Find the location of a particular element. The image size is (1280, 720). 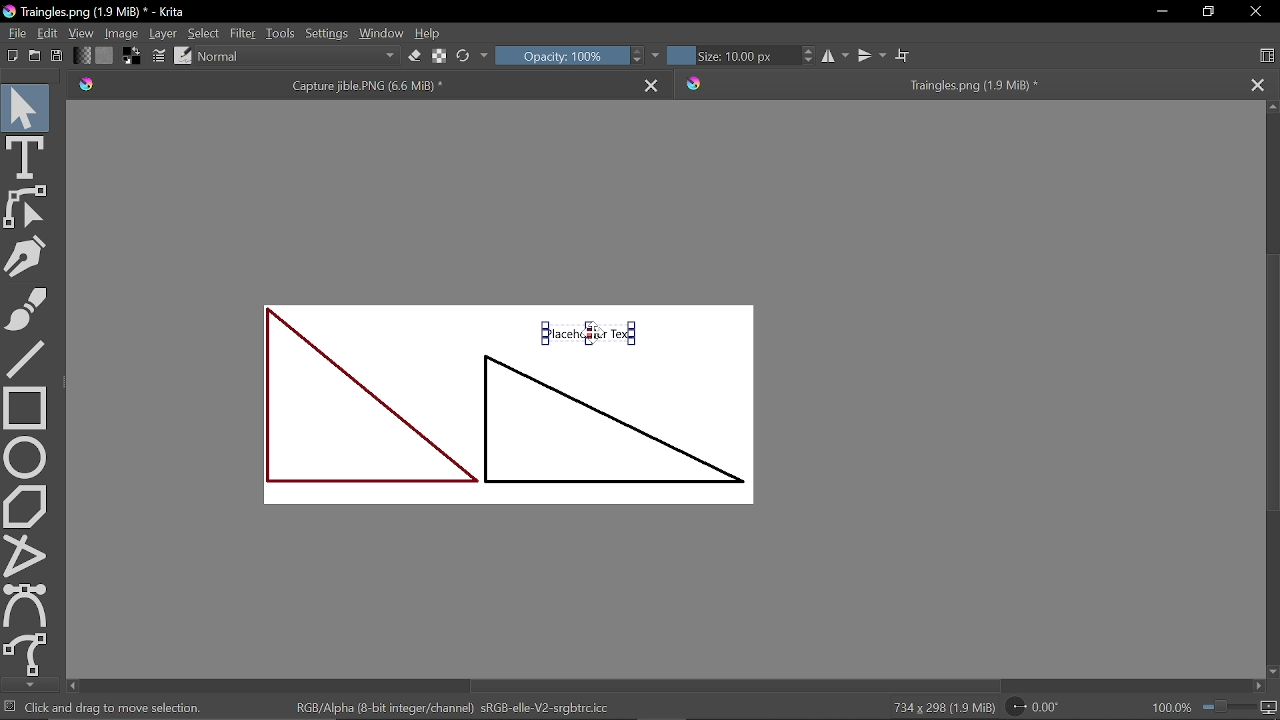

'RGB/Alpha (8-bit integer/channel) sRGB-elle-V2-srgbtrc.icc is located at coordinates (458, 707).